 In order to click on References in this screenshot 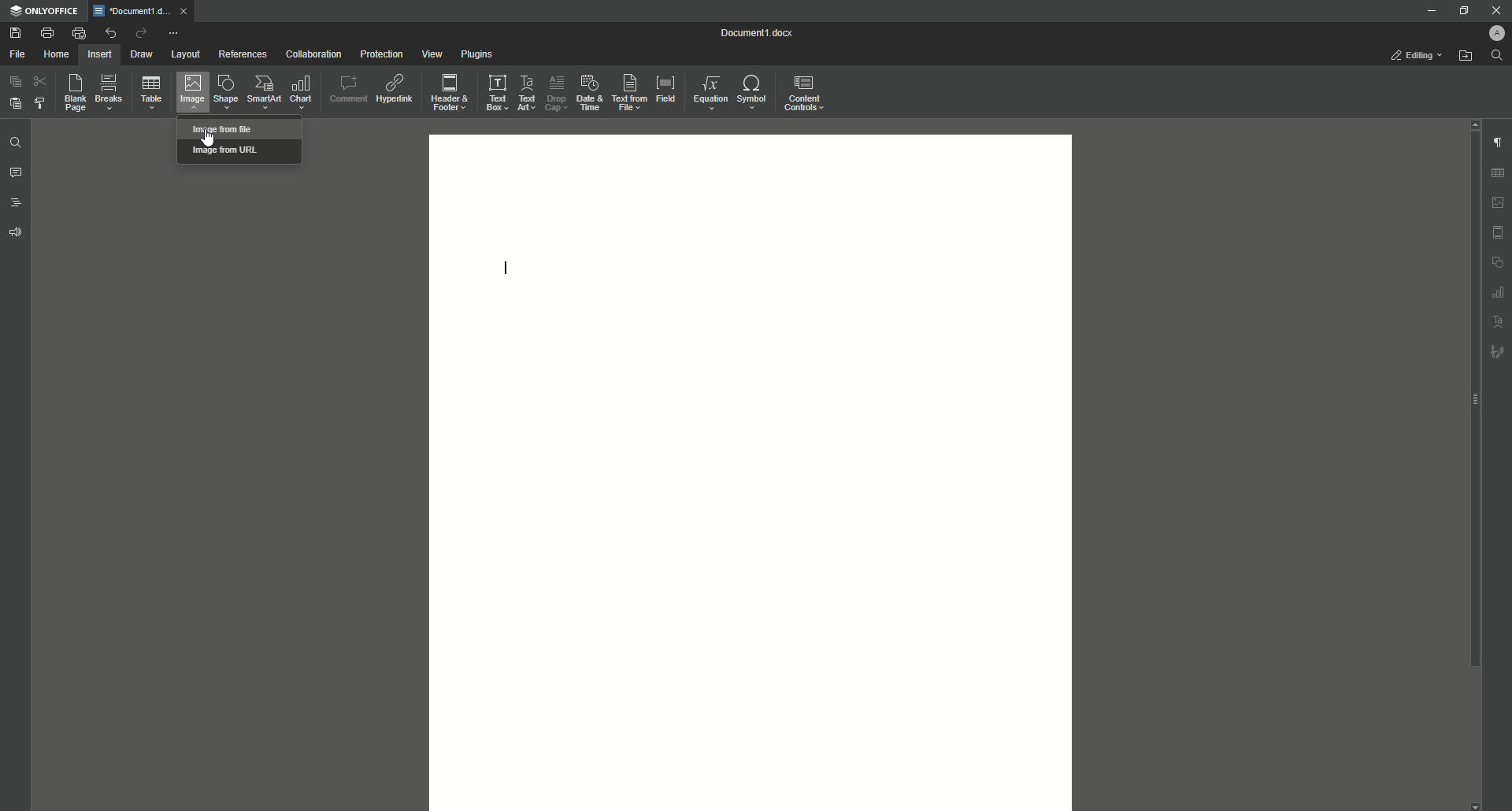, I will do `click(239, 55)`.